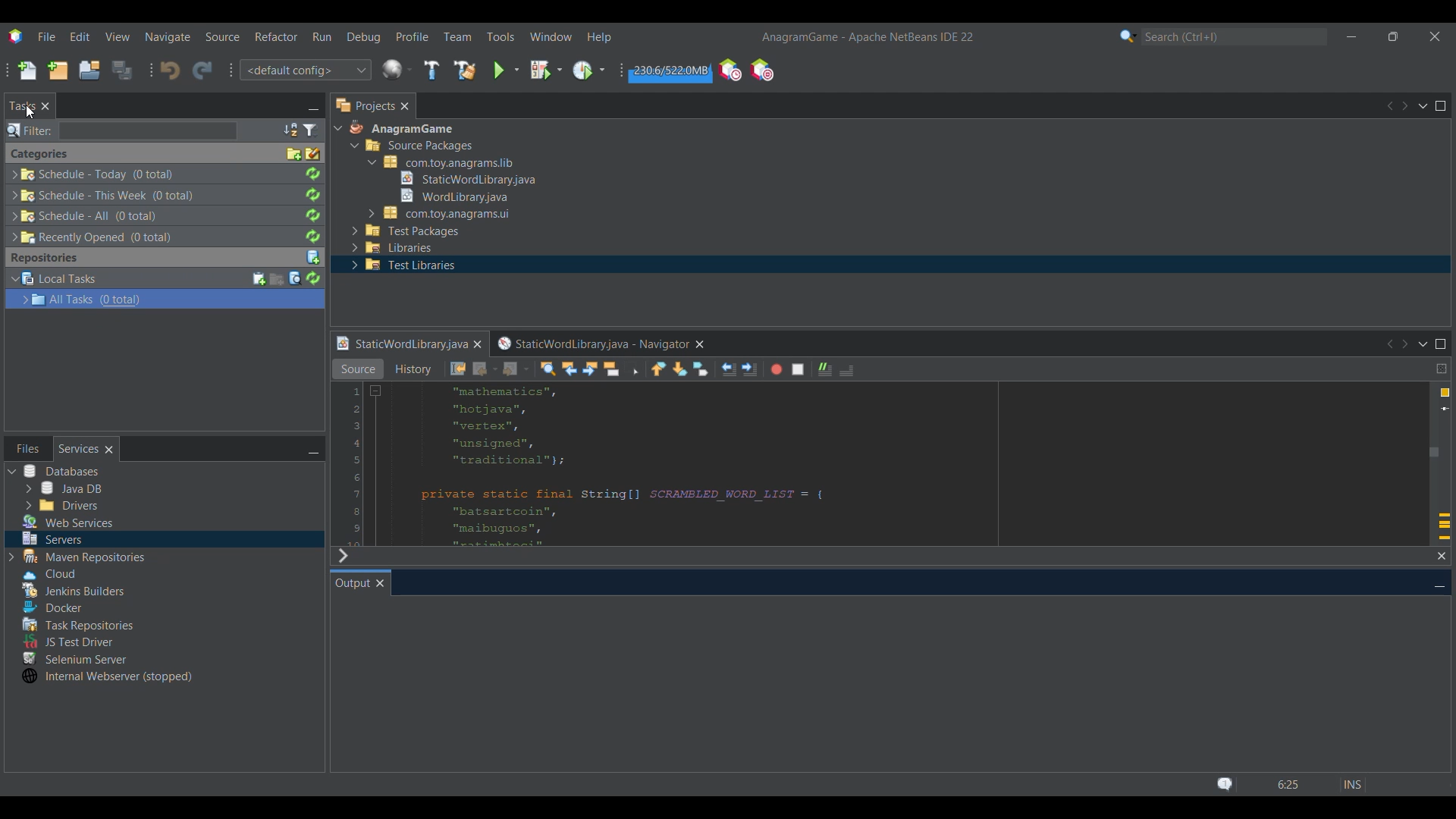 This screenshot has width=1456, height=819. I want to click on , so click(400, 266).